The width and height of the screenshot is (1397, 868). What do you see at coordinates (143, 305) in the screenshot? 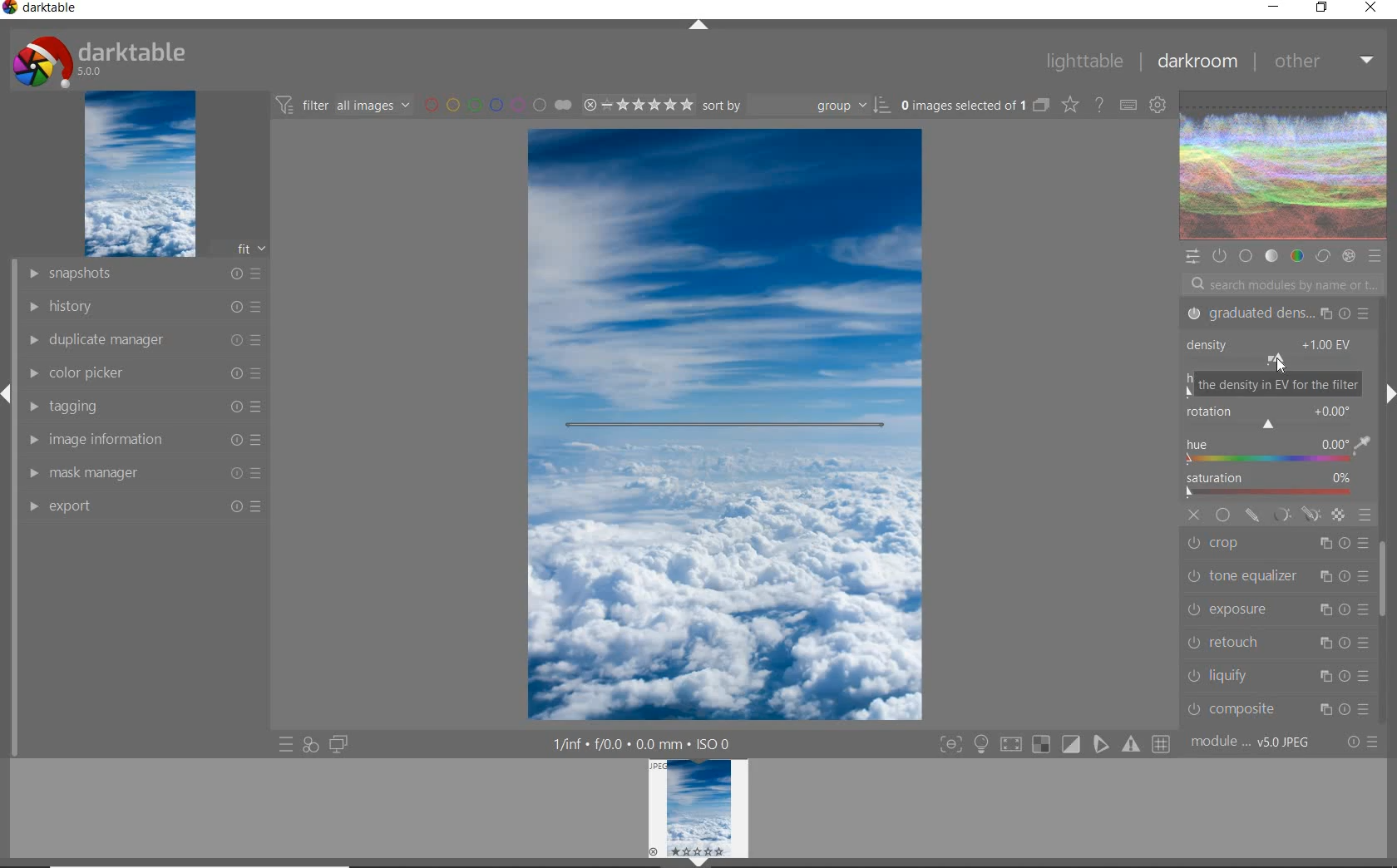
I see `HISTORY` at bounding box center [143, 305].